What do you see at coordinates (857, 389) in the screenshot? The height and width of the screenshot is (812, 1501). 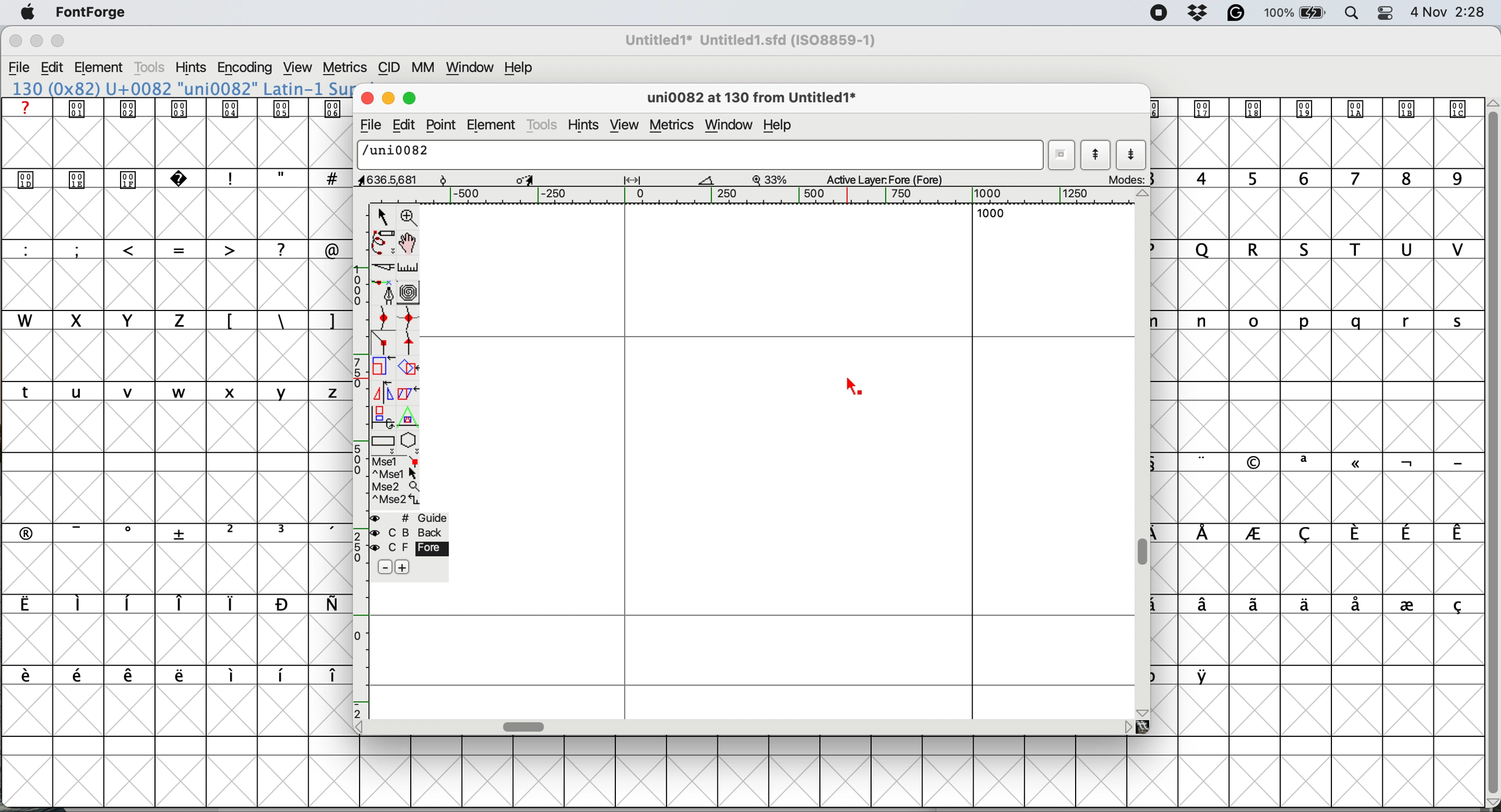 I see `cursor` at bounding box center [857, 389].